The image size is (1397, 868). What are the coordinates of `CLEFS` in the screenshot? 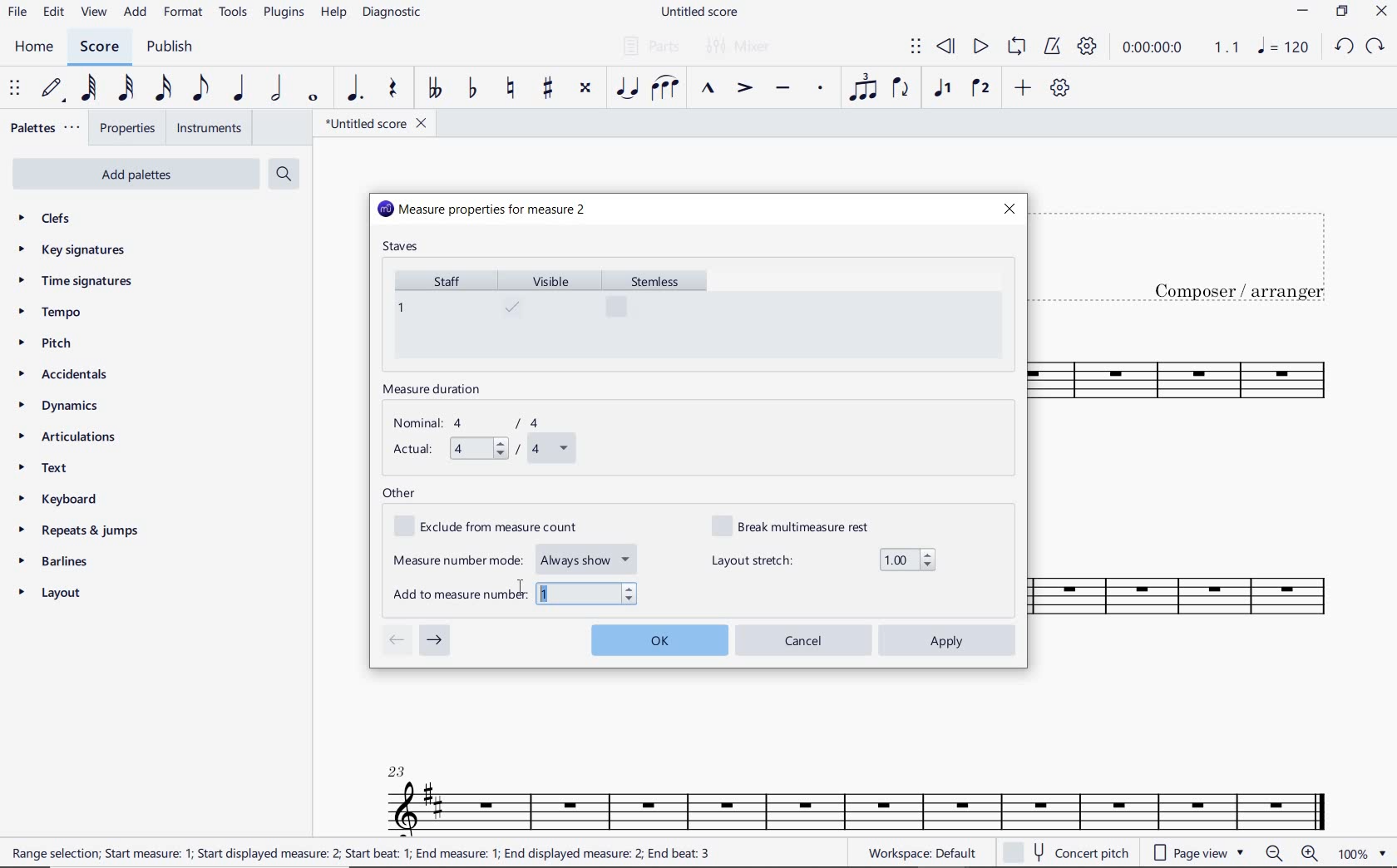 It's located at (55, 219).